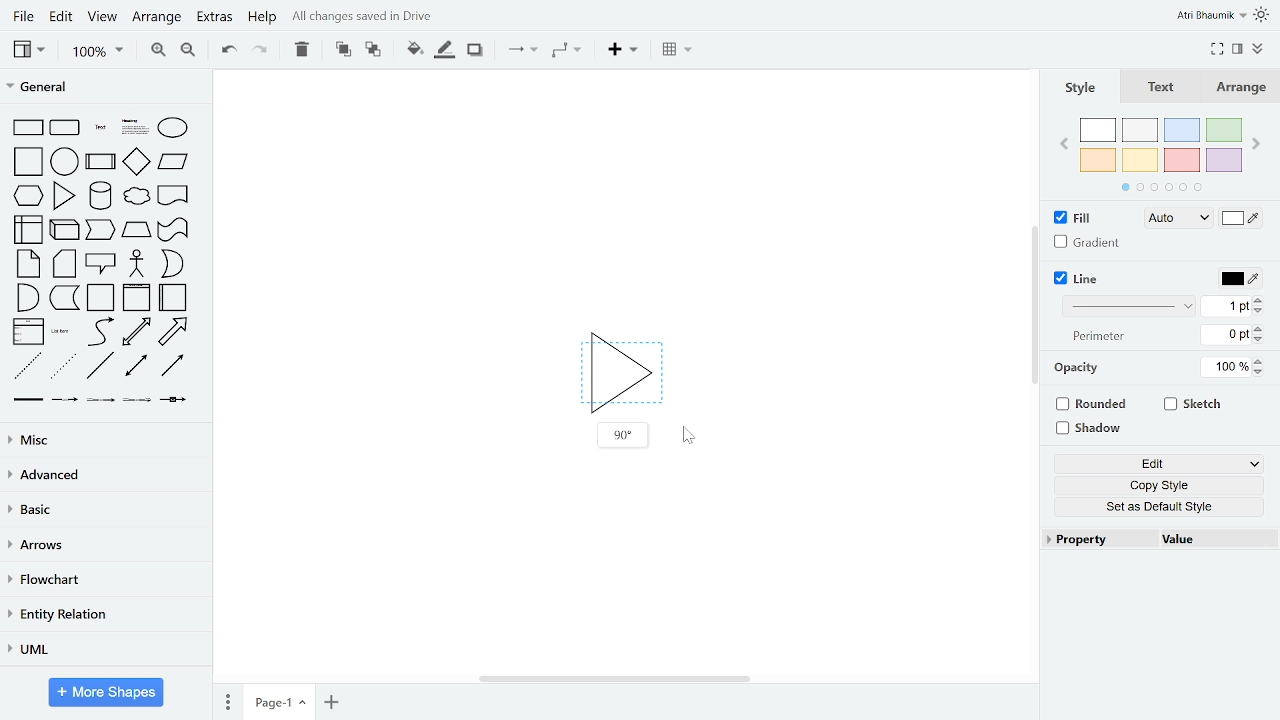 This screenshot has height=720, width=1280. What do you see at coordinates (62, 17) in the screenshot?
I see `edit` at bounding box center [62, 17].